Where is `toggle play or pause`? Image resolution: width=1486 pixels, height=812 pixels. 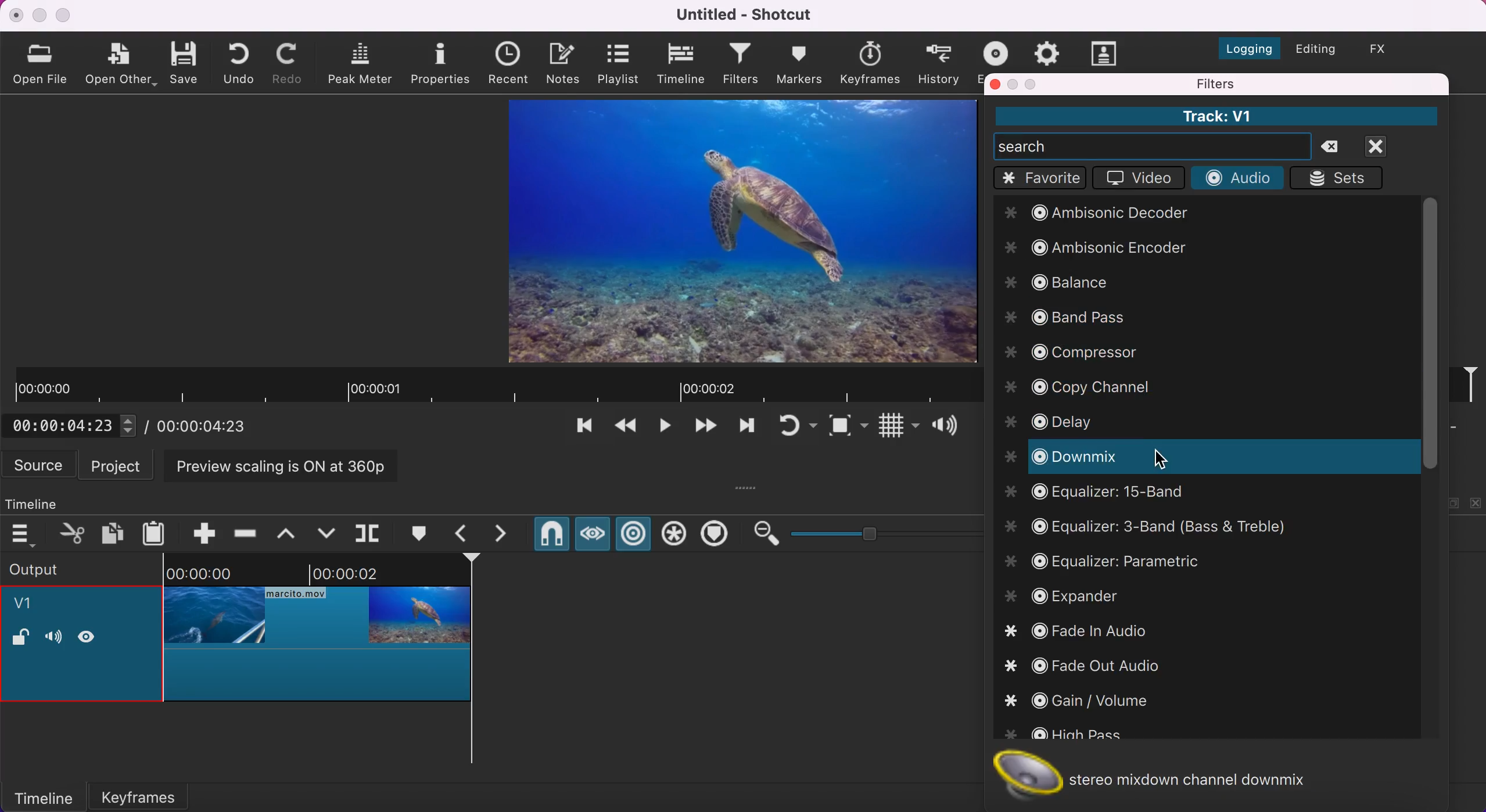 toggle play or pause is located at coordinates (665, 429).